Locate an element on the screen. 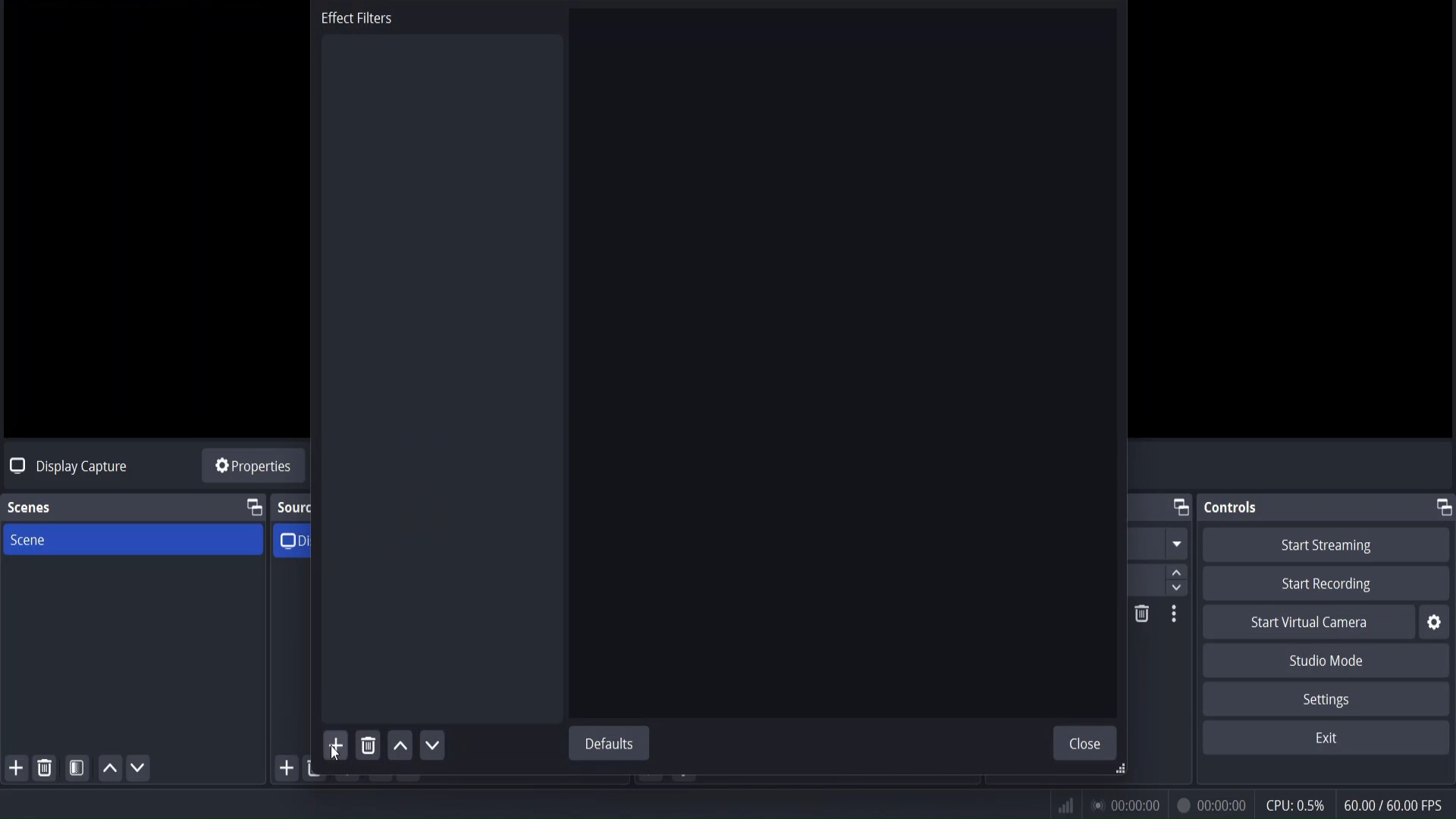  move up is located at coordinates (399, 745).